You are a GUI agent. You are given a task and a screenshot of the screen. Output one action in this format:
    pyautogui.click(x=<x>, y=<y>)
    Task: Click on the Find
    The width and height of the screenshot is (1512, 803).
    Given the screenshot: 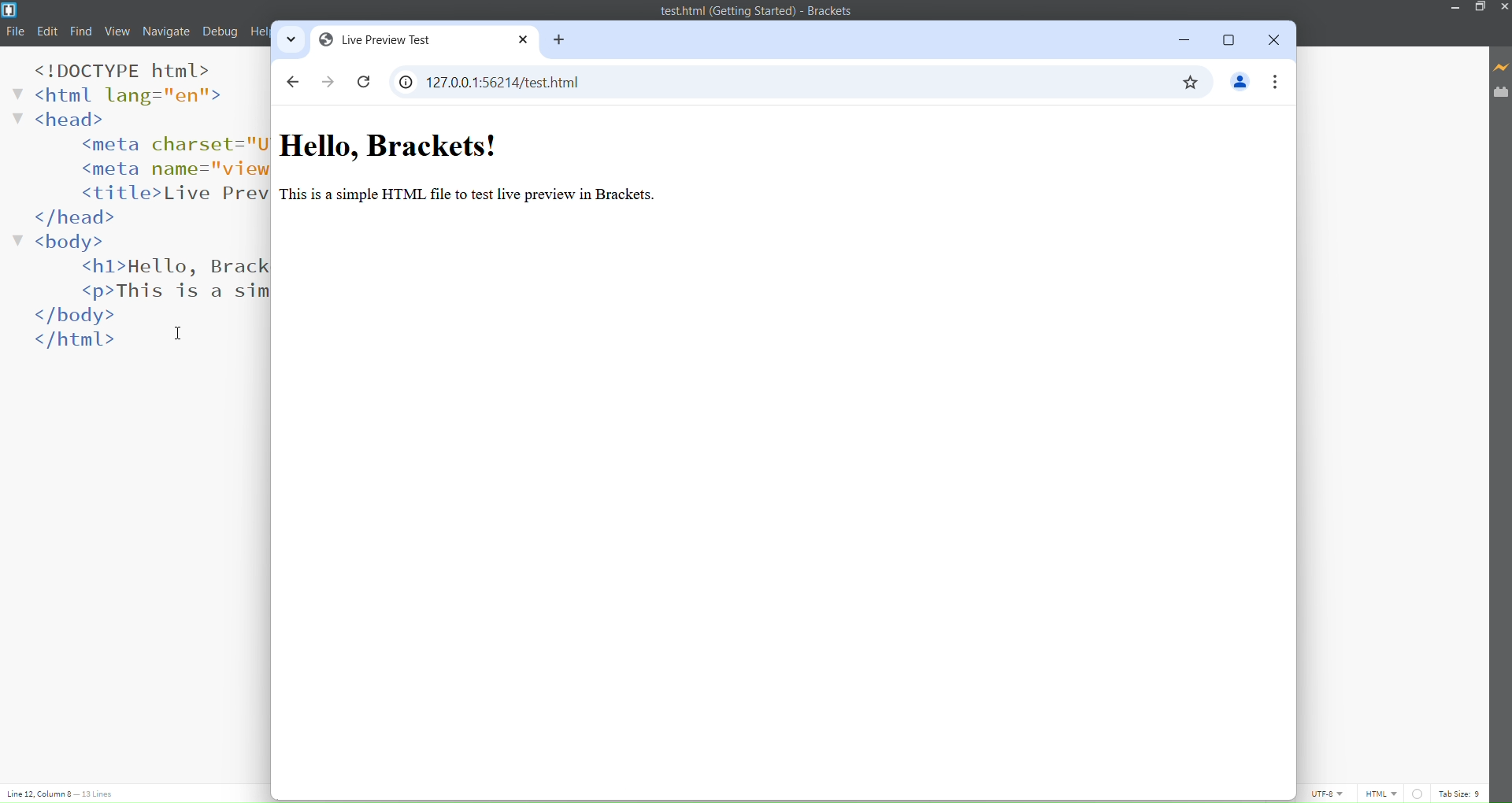 What is the action you would take?
    pyautogui.click(x=81, y=32)
    